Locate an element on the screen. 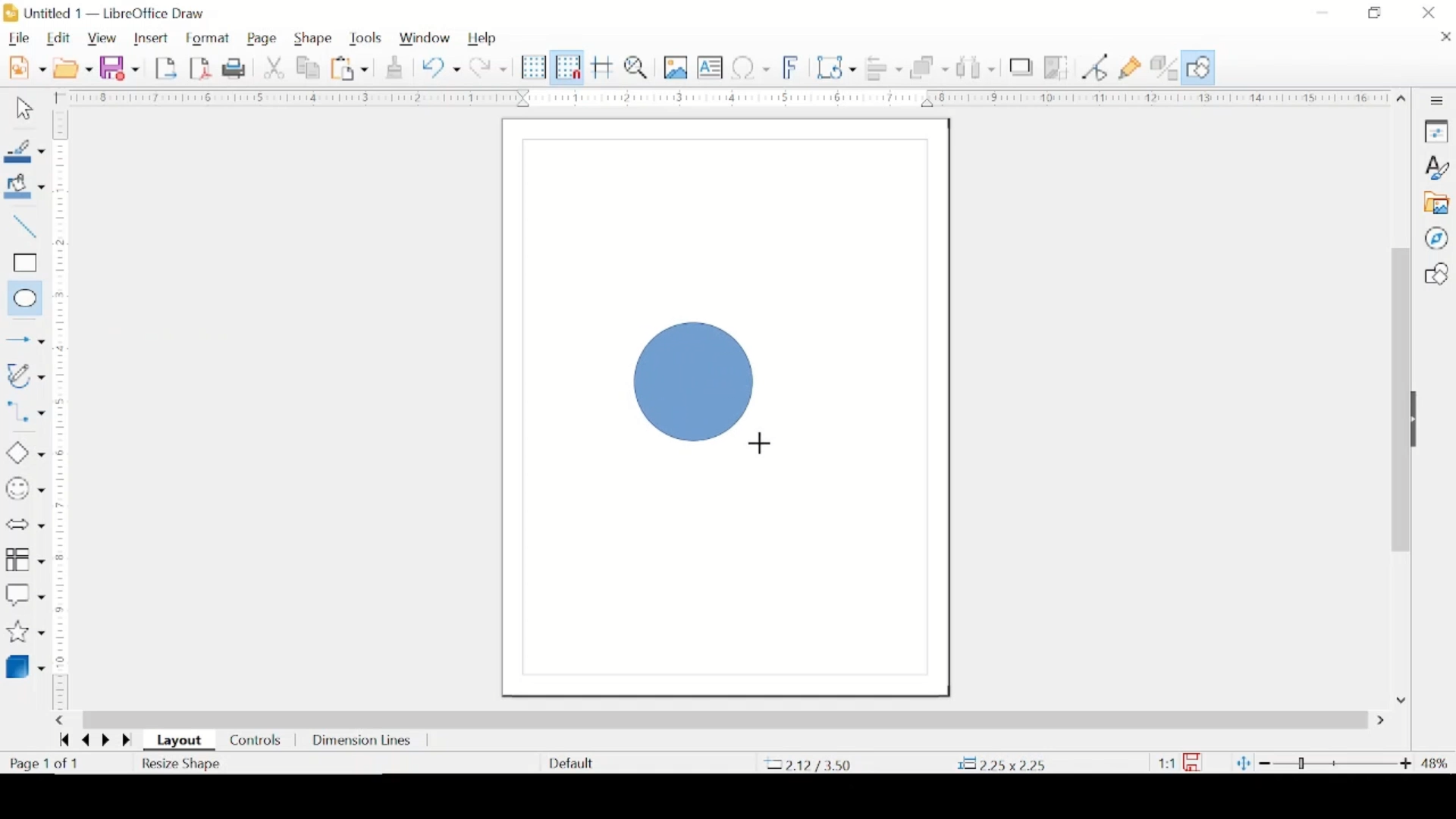  transformations is located at coordinates (837, 67).